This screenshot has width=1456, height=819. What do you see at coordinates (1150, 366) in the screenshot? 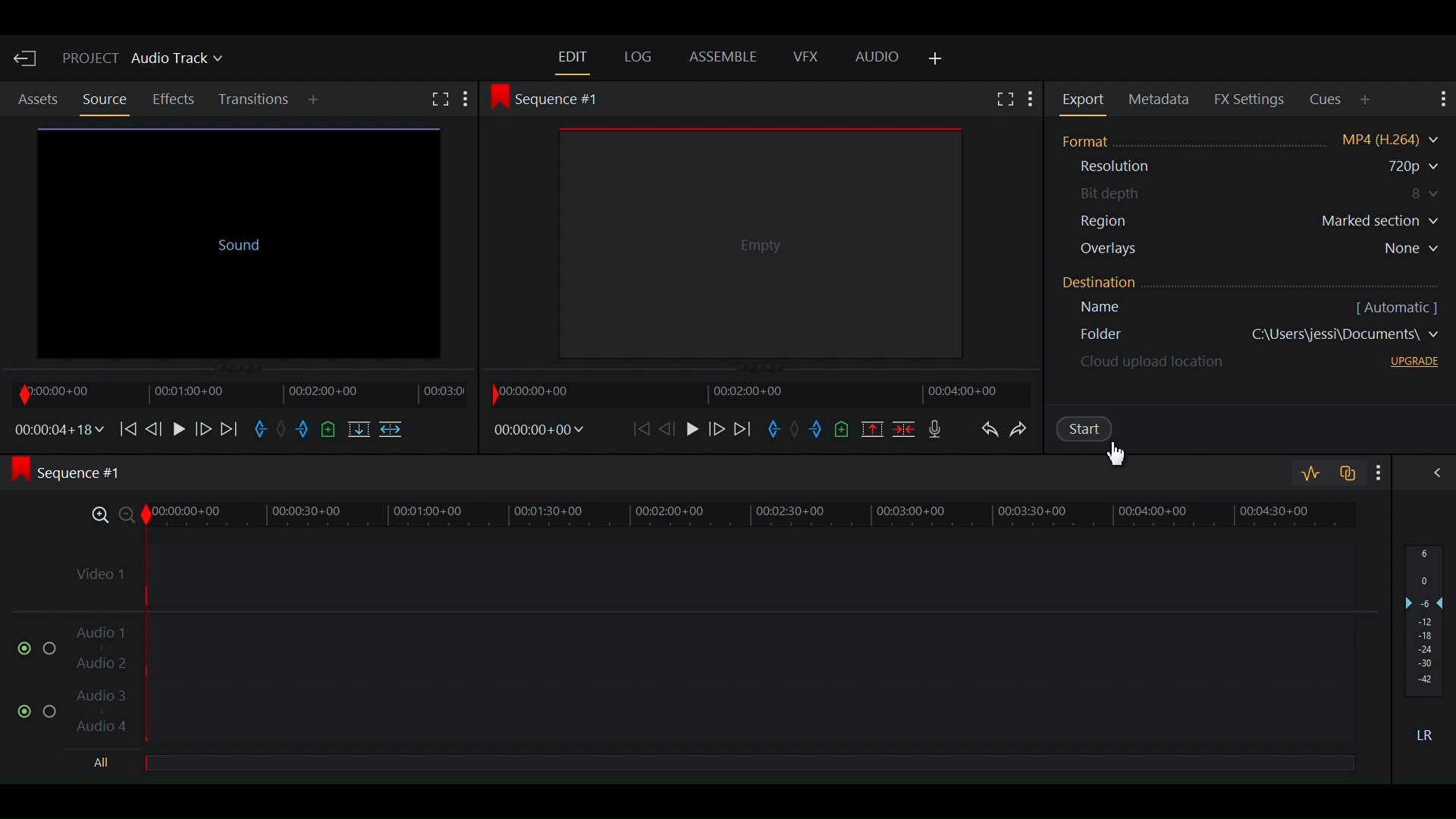
I see `Cloud upload location` at bounding box center [1150, 366].